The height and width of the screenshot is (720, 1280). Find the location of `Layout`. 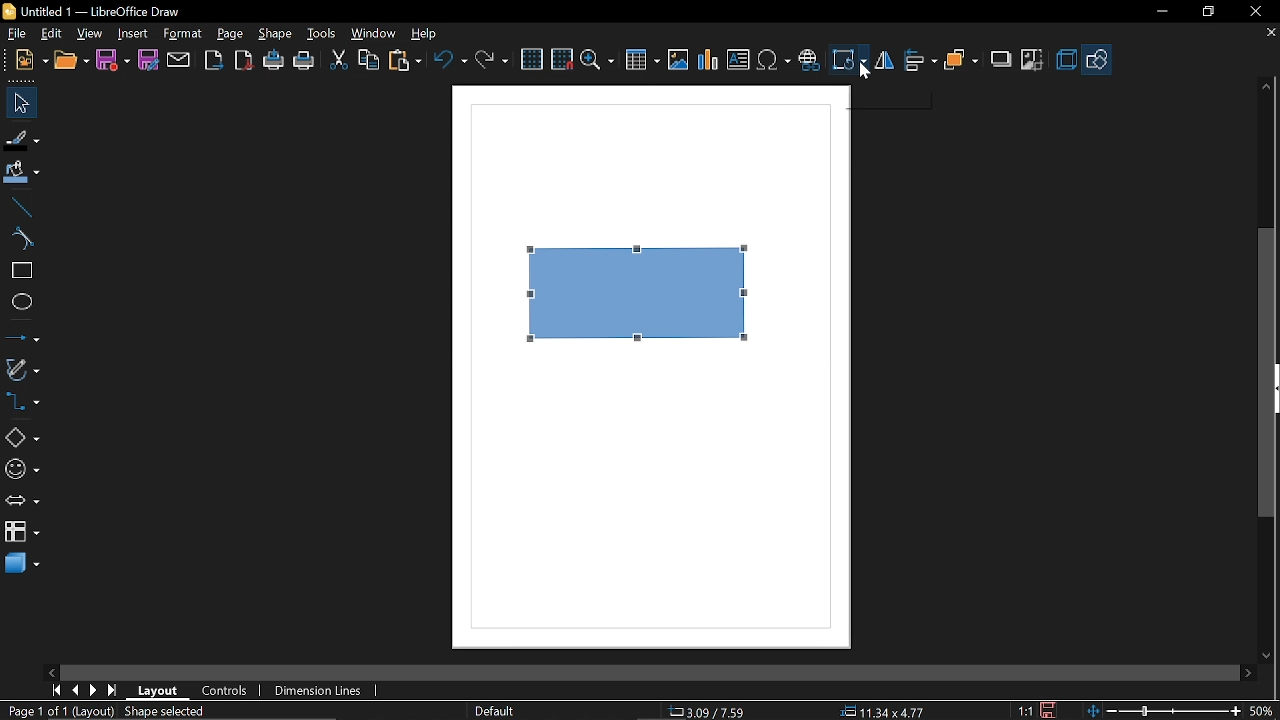

Layout is located at coordinates (158, 691).